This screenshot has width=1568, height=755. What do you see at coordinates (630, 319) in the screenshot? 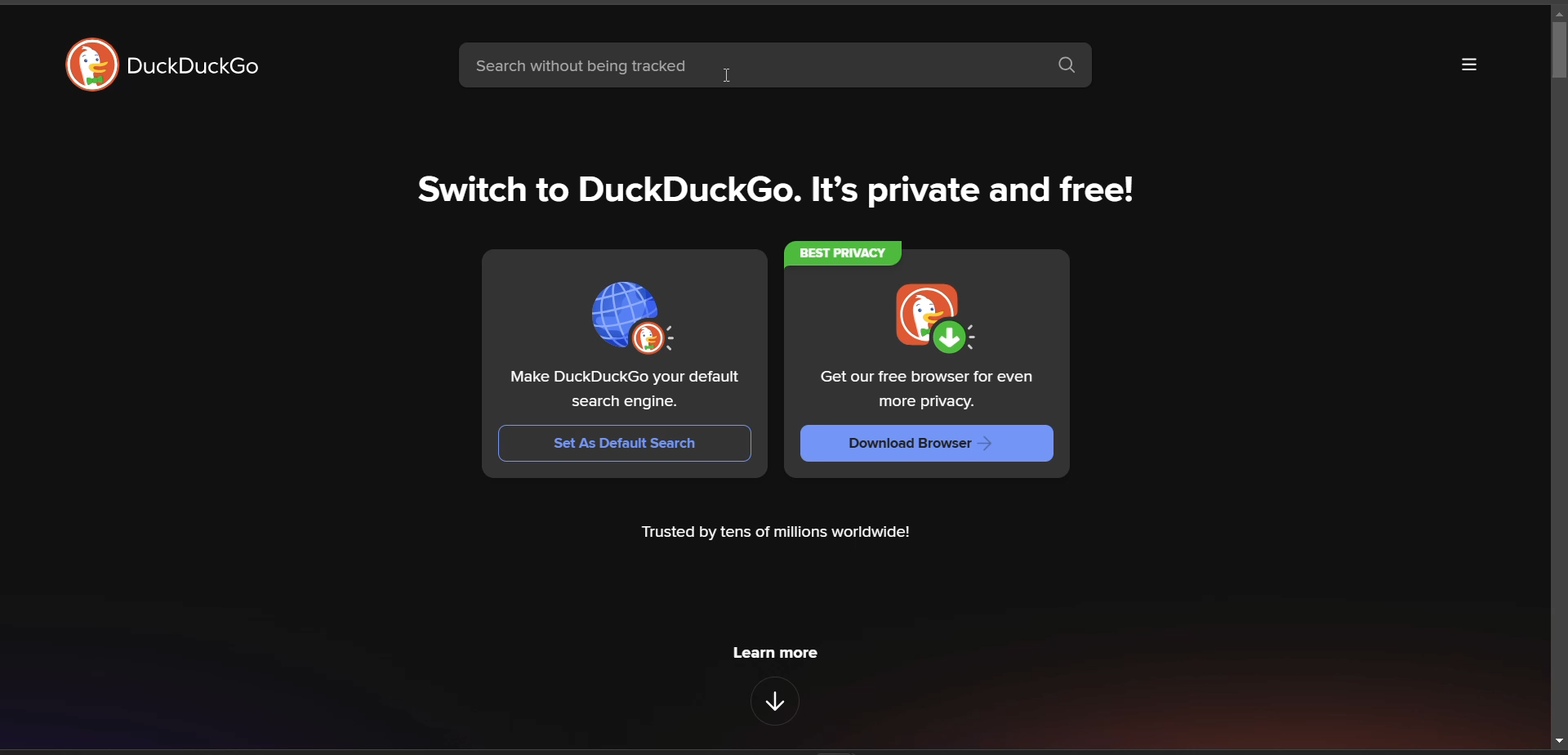
I see `icon` at bounding box center [630, 319].